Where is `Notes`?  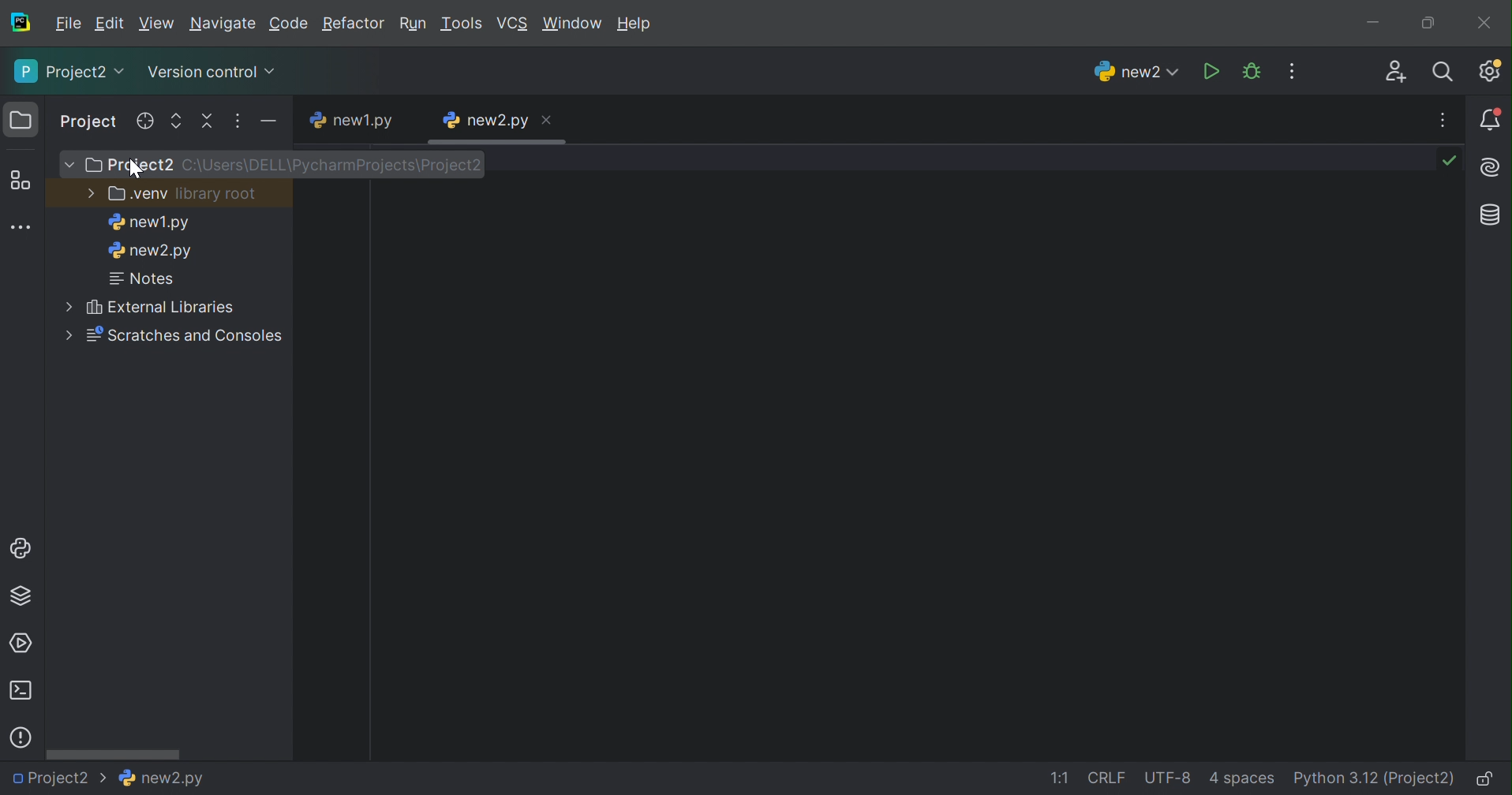
Notes is located at coordinates (144, 279).